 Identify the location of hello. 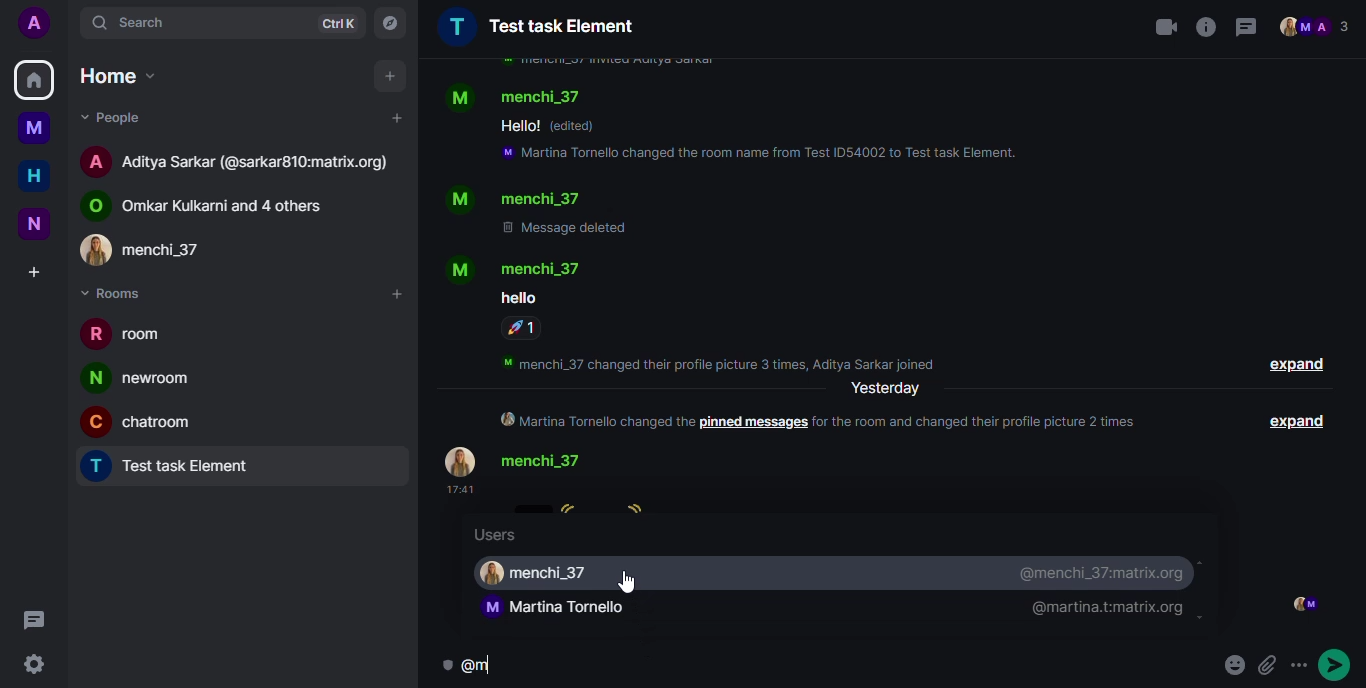
(519, 126).